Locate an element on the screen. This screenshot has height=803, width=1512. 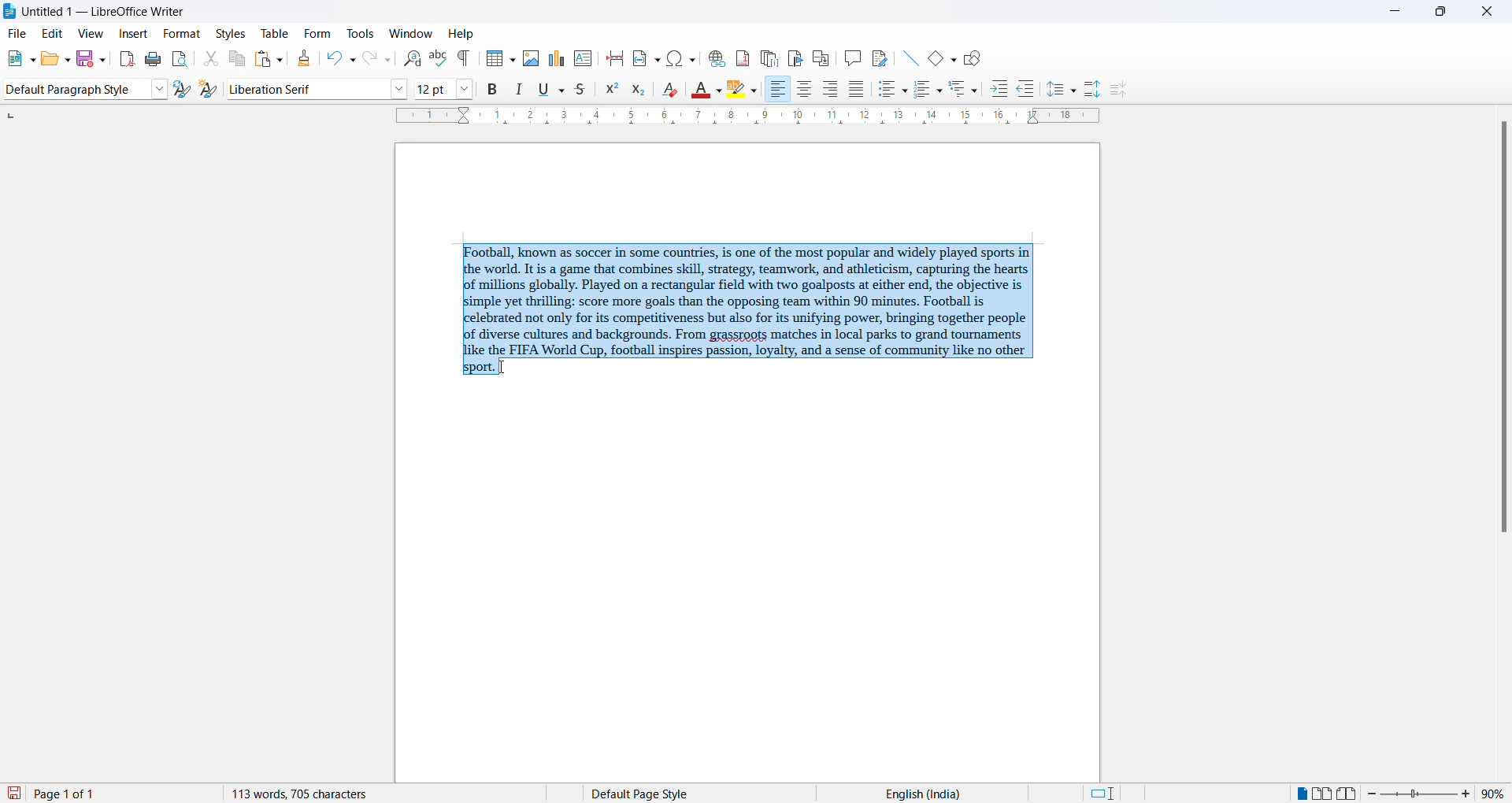
increase indent is located at coordinates (1000, 88).